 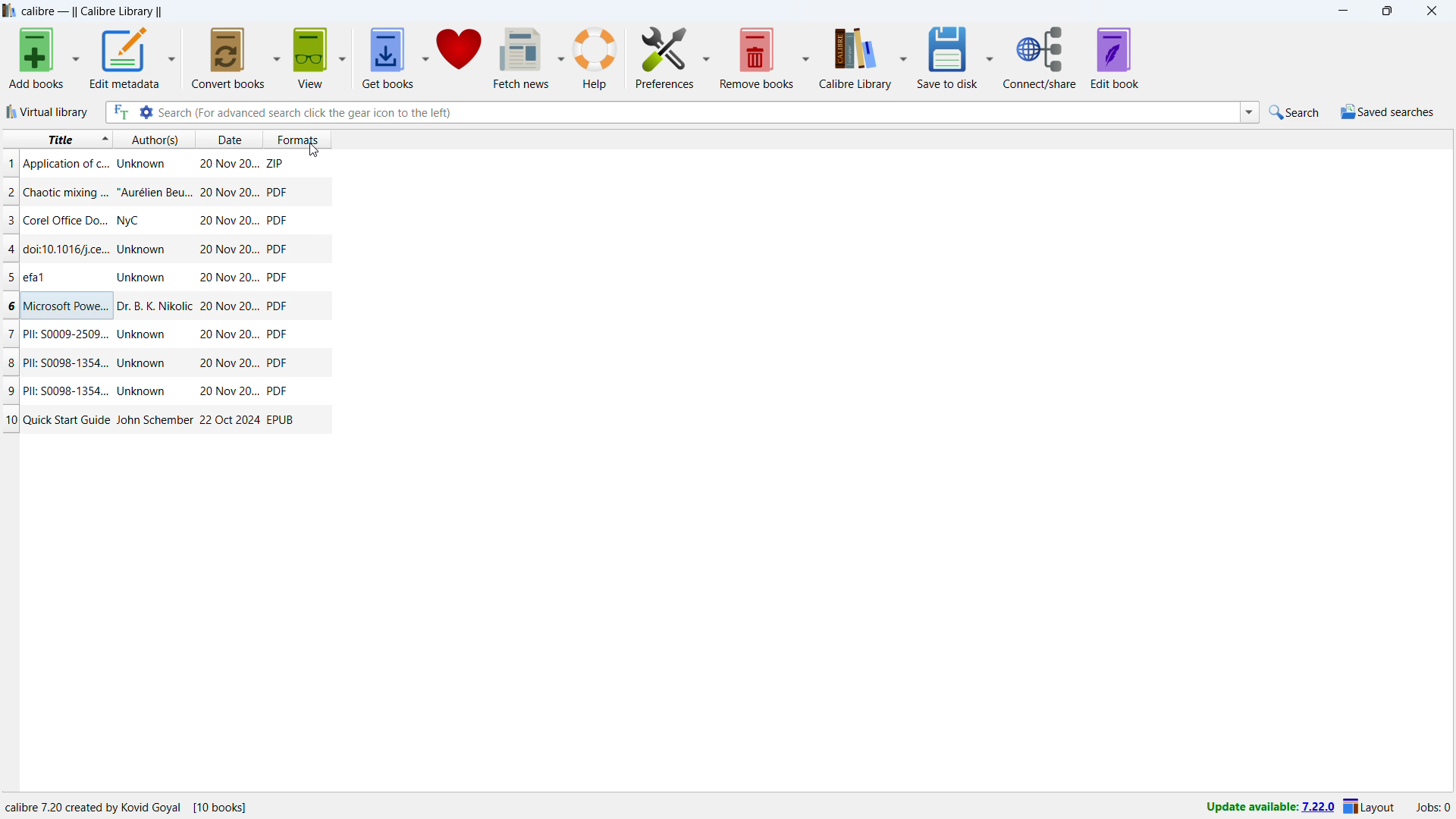 I want to click on advanced search, so click(x=146, y=112).